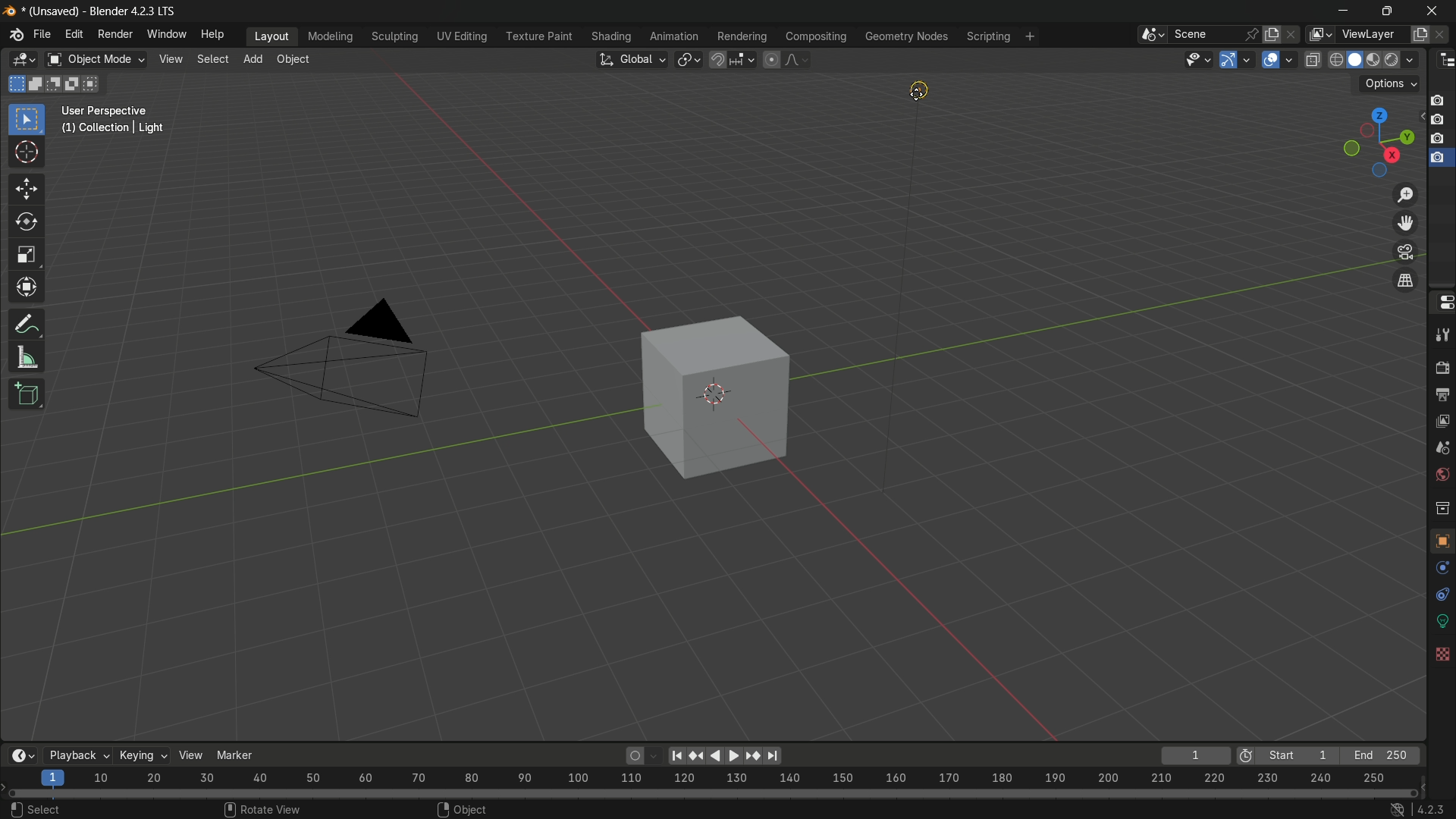 The height and width of the screenshot is (819, 1456). I want to click on select, so click(35, 808).